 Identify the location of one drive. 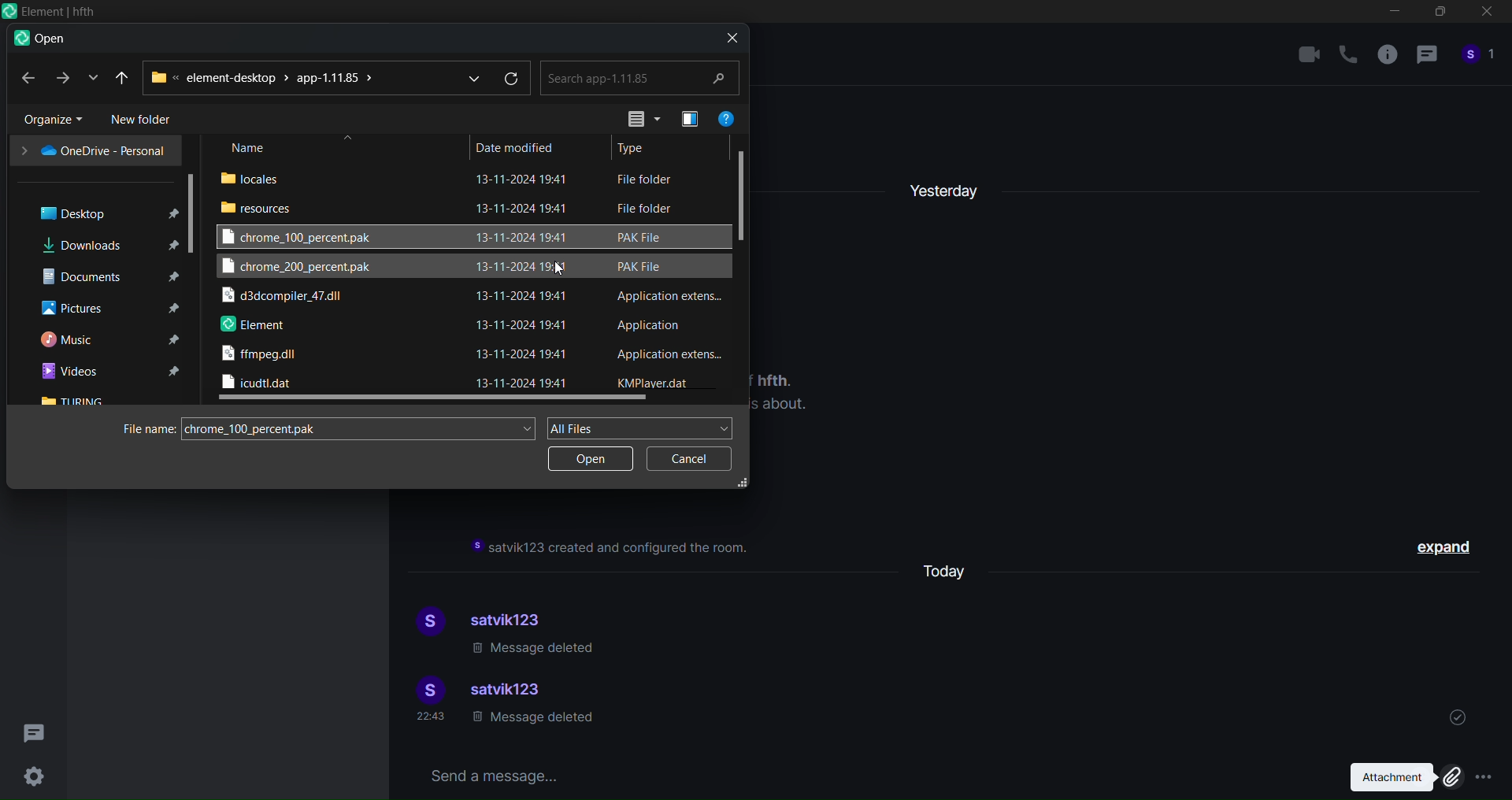
(92, 150).